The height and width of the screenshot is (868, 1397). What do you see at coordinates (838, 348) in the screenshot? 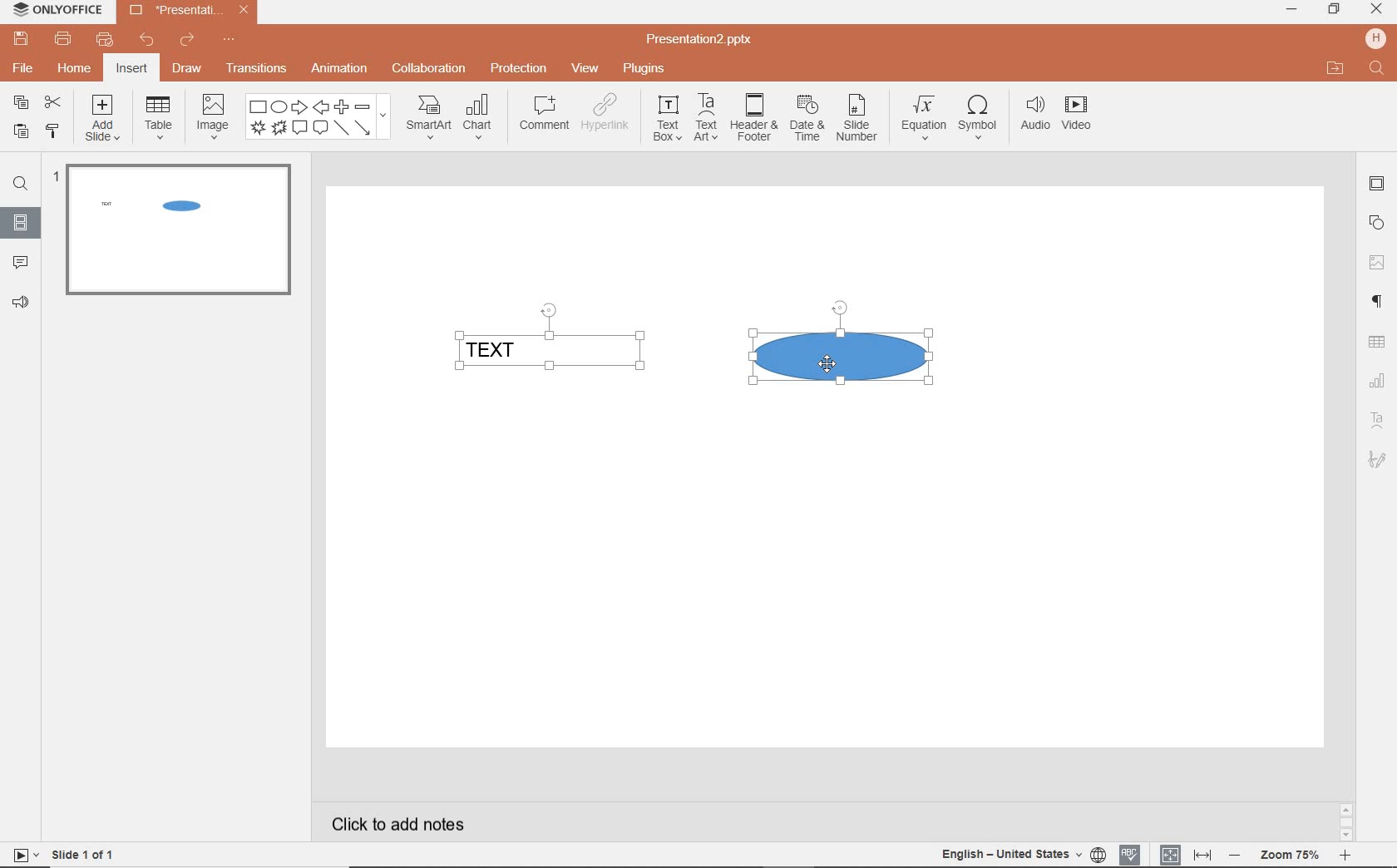
I see `SHAPE SELECTED` at bounding box center [838, 348].